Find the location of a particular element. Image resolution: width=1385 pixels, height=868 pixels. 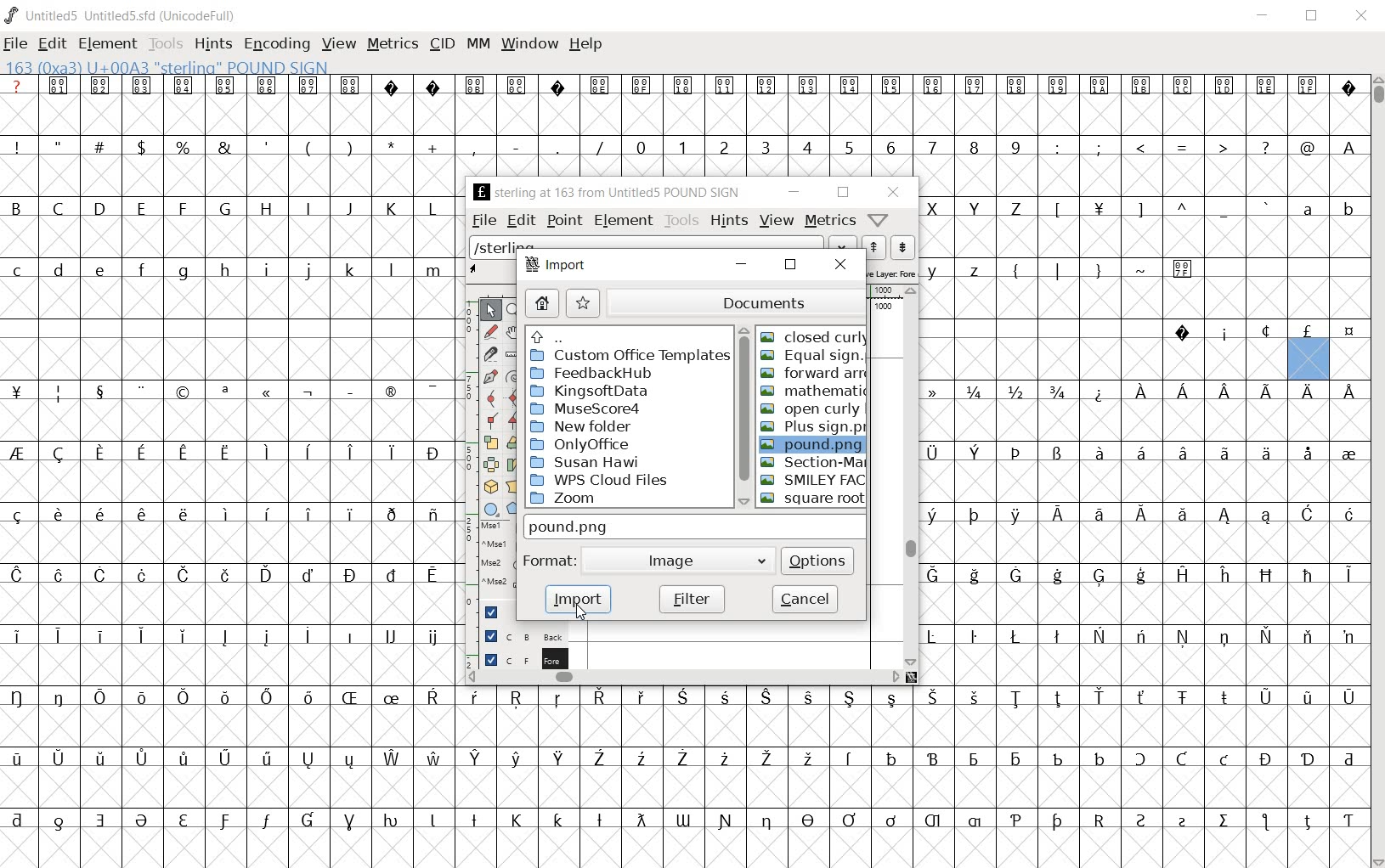

Symbol is located at coordinates (1098, 516).